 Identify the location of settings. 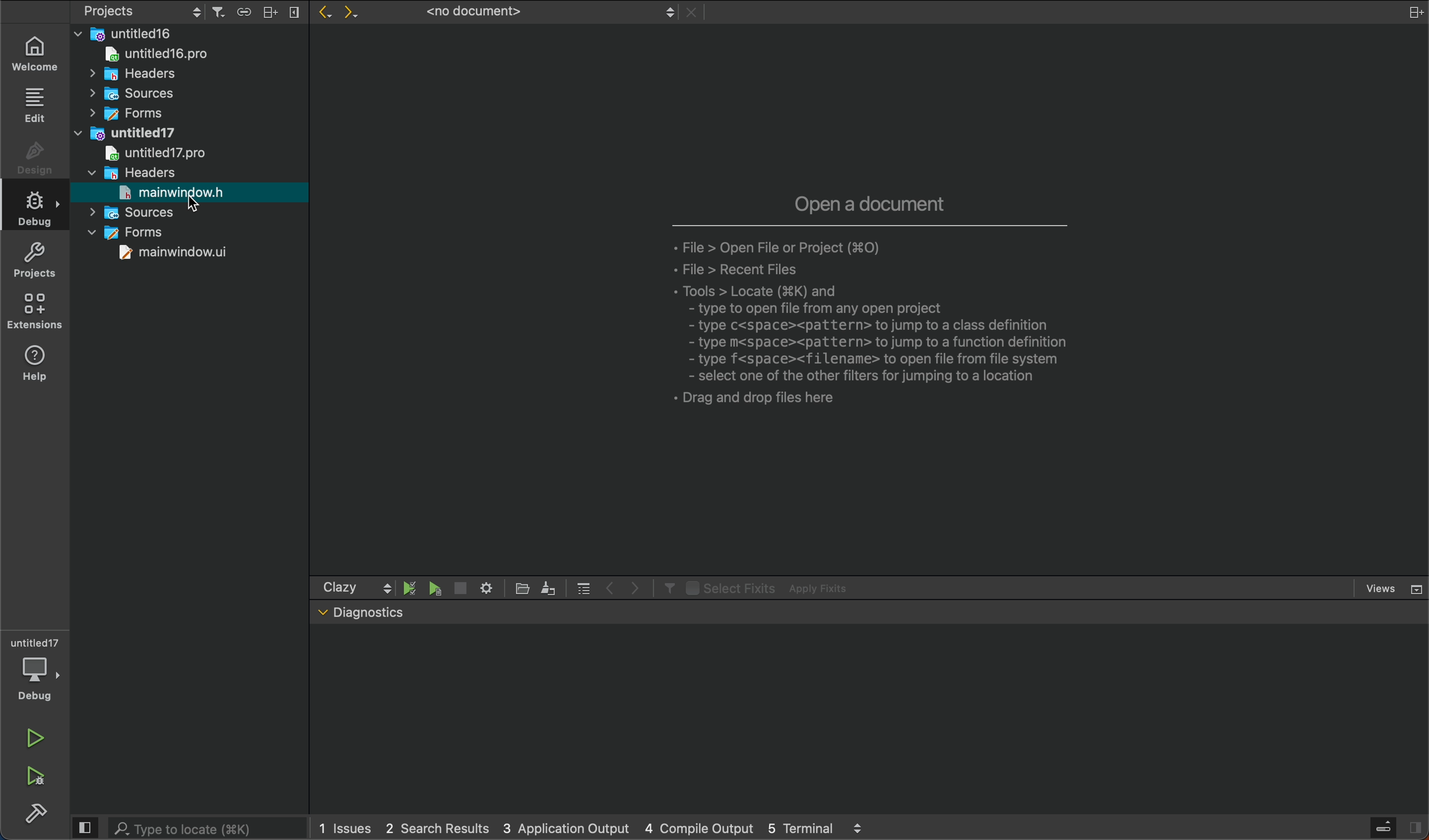
(485, 587).